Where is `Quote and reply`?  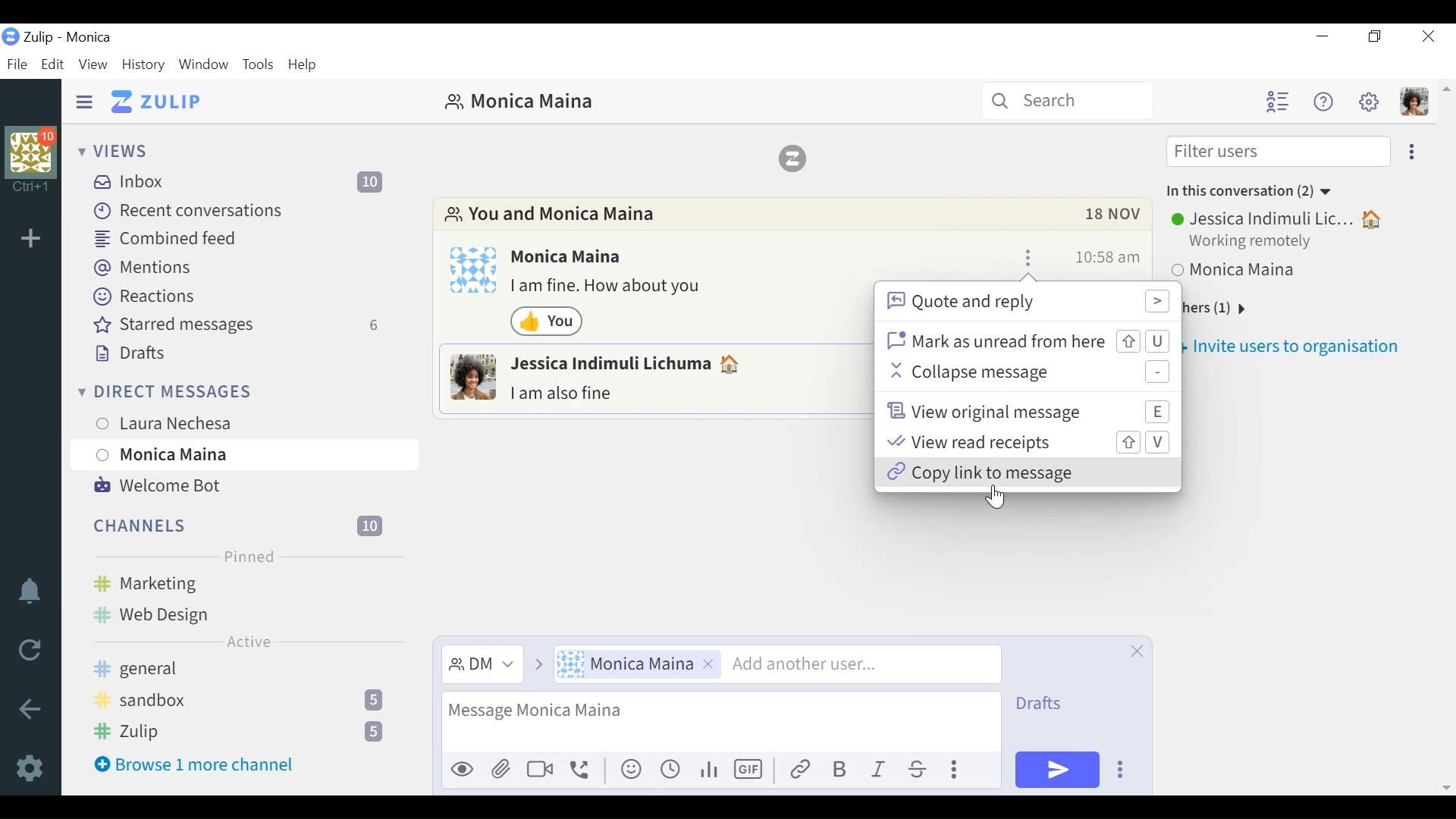
Quote and reply is located at coordinates (1025, 302).